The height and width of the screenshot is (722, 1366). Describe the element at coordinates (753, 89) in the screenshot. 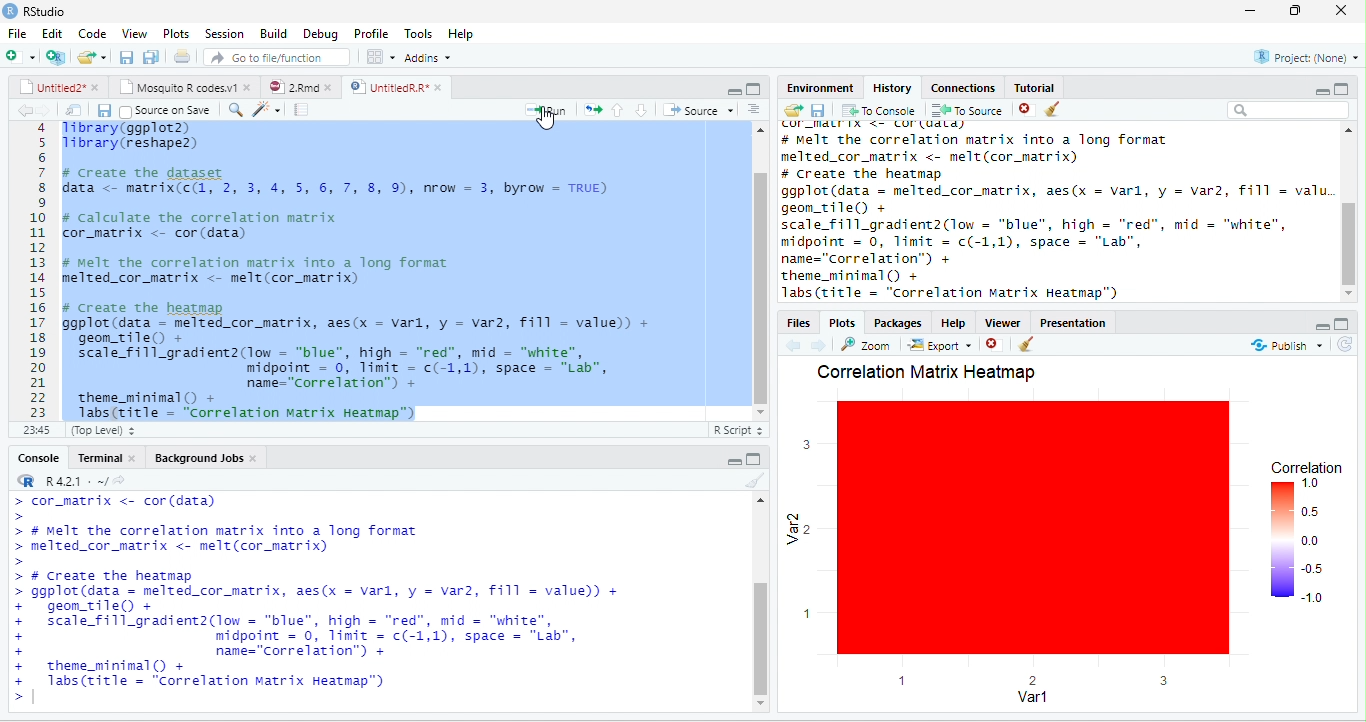

I see `maximize` at that location.